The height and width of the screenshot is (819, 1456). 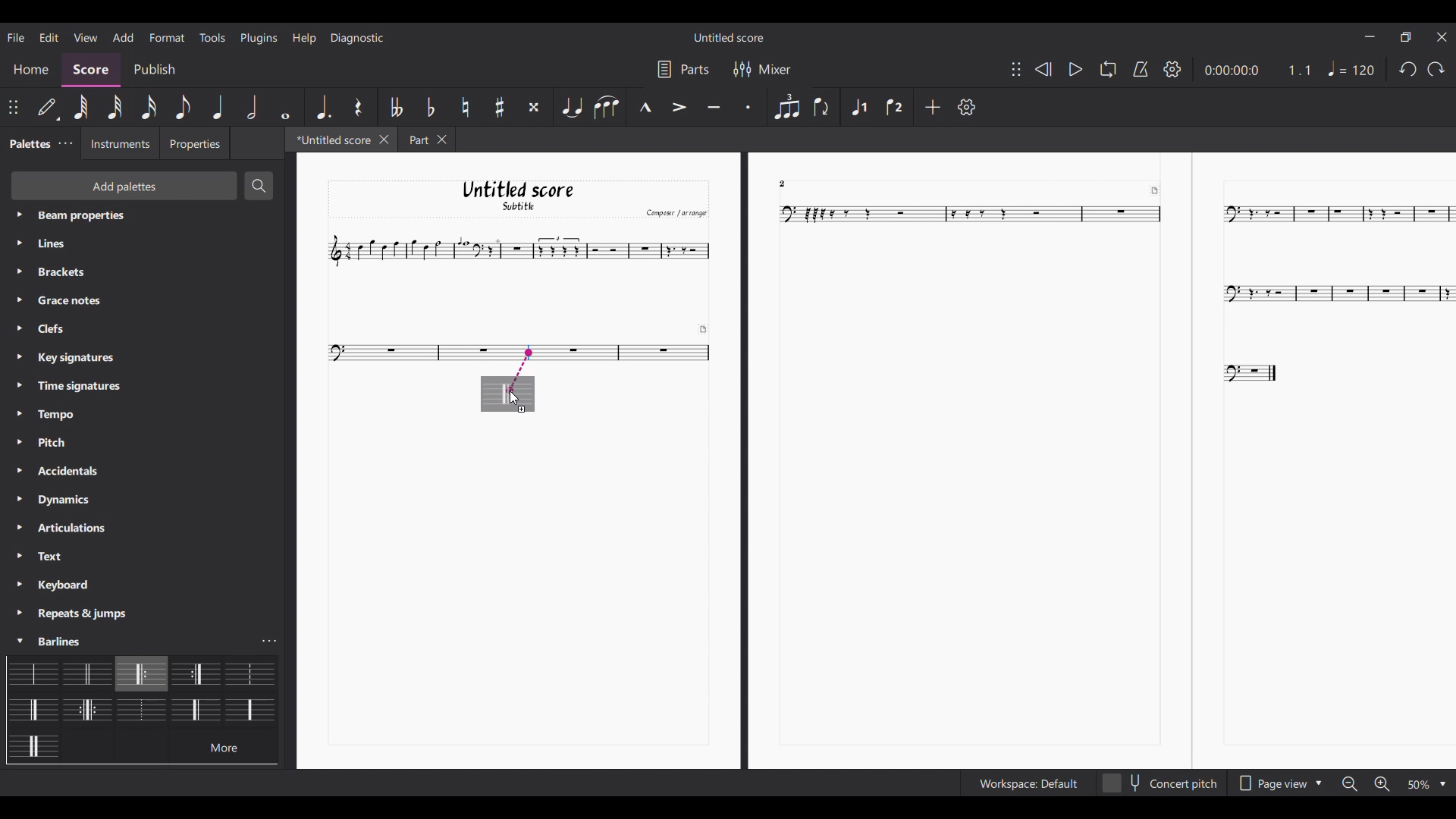 What do you see at coordinates (1016, 69) in the screenshot?
I see `Change position` at bounding box center [1016, 69].